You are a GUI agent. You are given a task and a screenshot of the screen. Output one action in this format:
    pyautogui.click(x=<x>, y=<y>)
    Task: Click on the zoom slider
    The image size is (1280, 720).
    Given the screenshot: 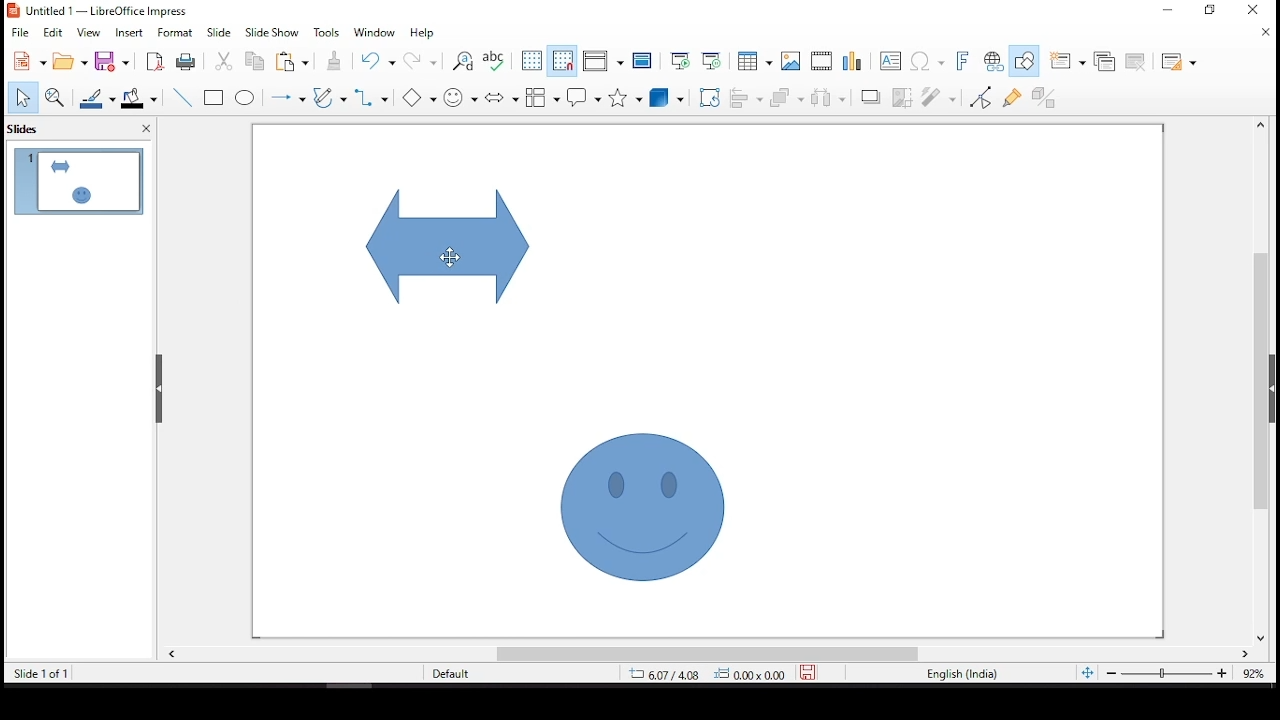 What is the action you would take?
    pyautogui.click(x=1167, y=673)
    